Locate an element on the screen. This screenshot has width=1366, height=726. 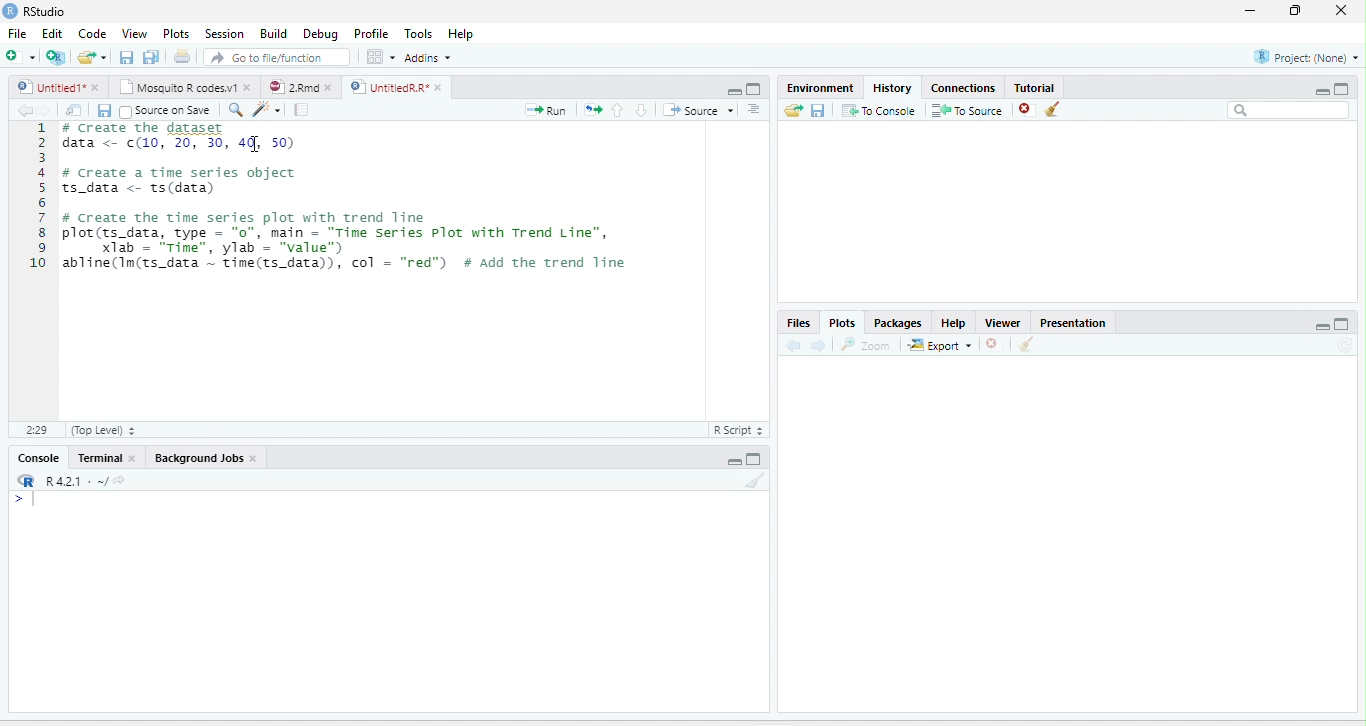
Clear all plots is located at coordinates (1027, 344).